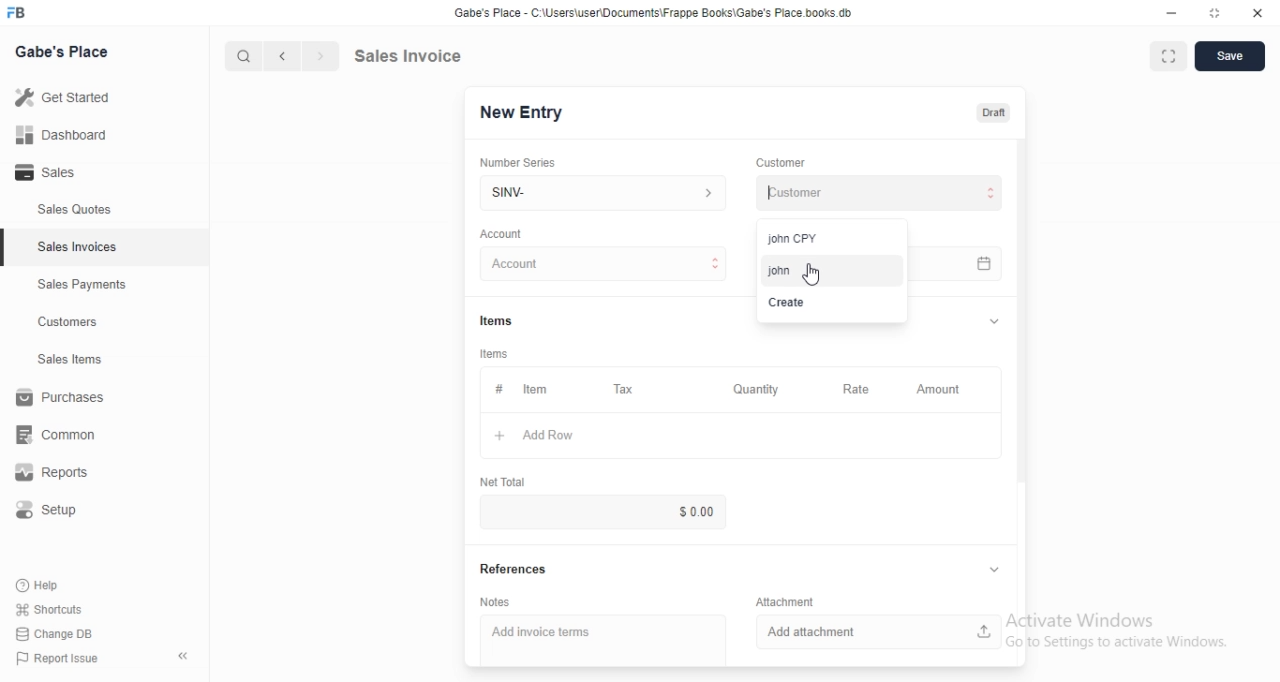  What do you see at coordinates (58, 635) in the screenshot?
I see `Change DB` at bounding box center [58, 635].